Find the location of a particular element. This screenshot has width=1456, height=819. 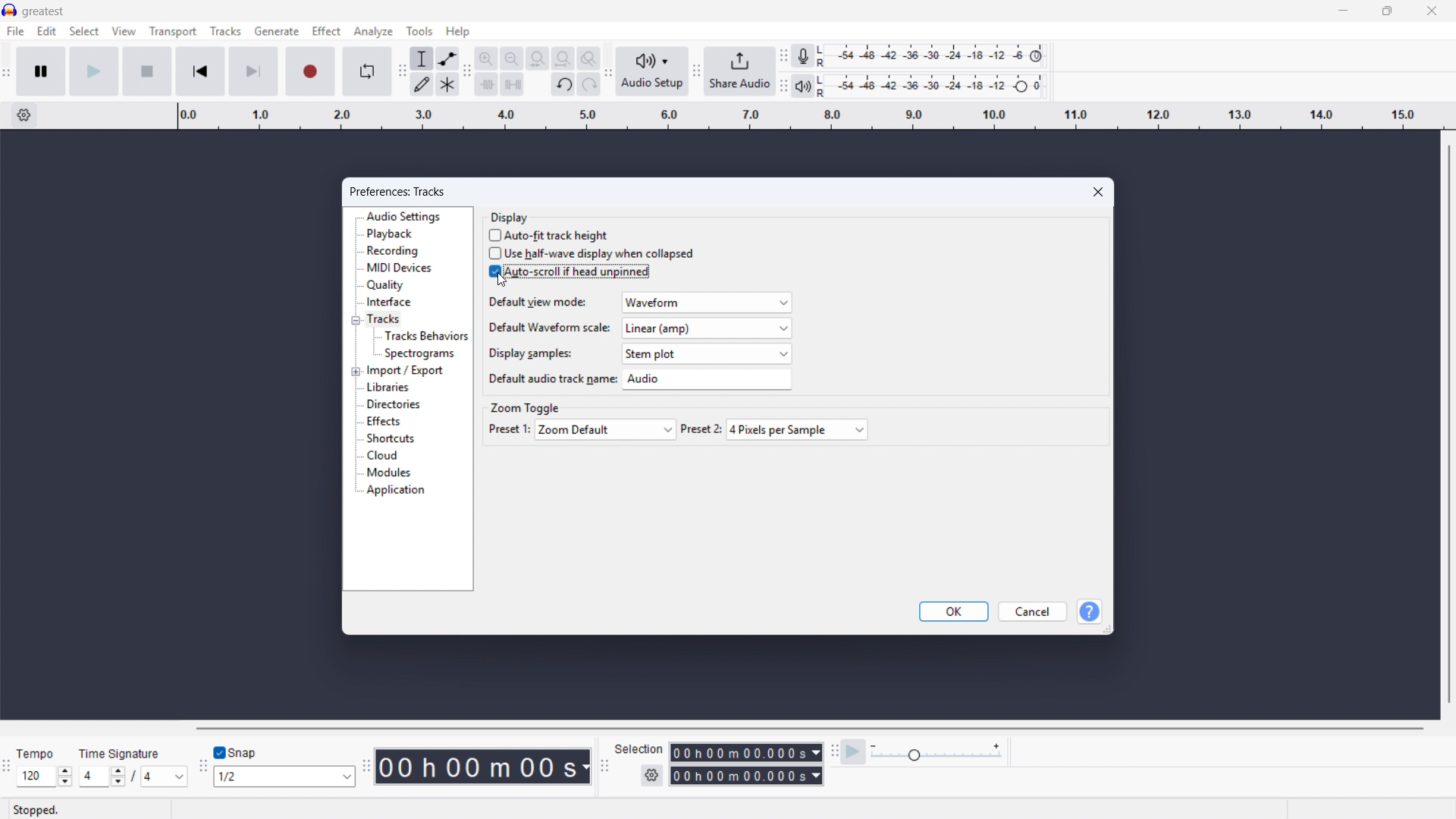

Preferences: tracks  is located at coordinates (399, 192).